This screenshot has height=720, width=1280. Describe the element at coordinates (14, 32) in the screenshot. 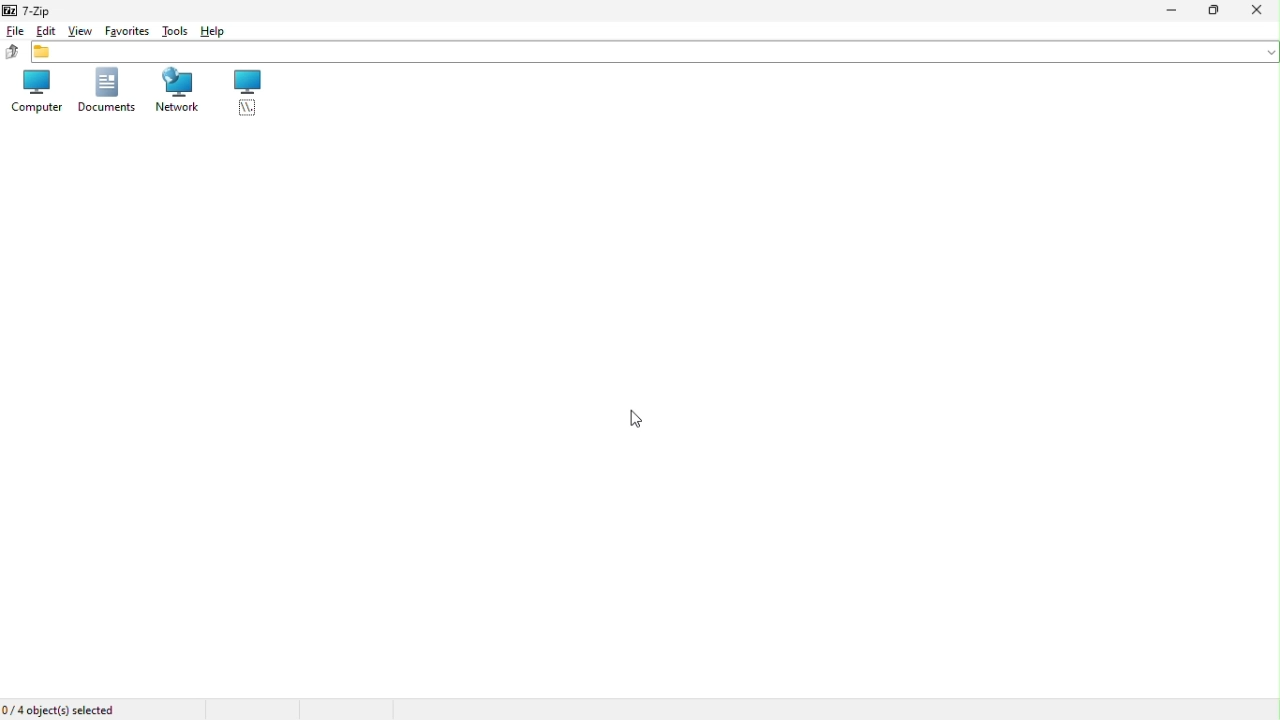

I see `File` at that location.